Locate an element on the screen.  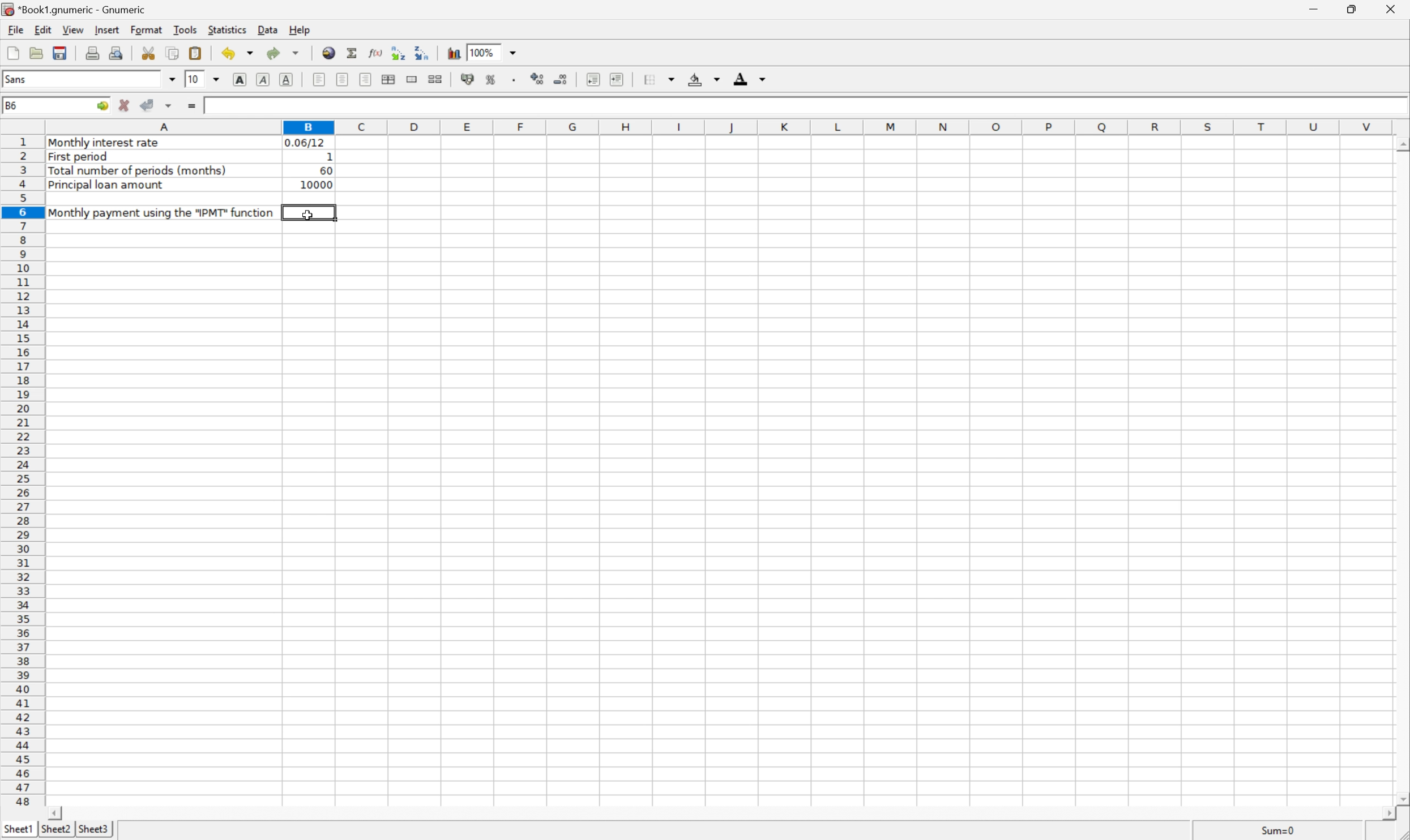
Tools is located at coordinates (188, 30).